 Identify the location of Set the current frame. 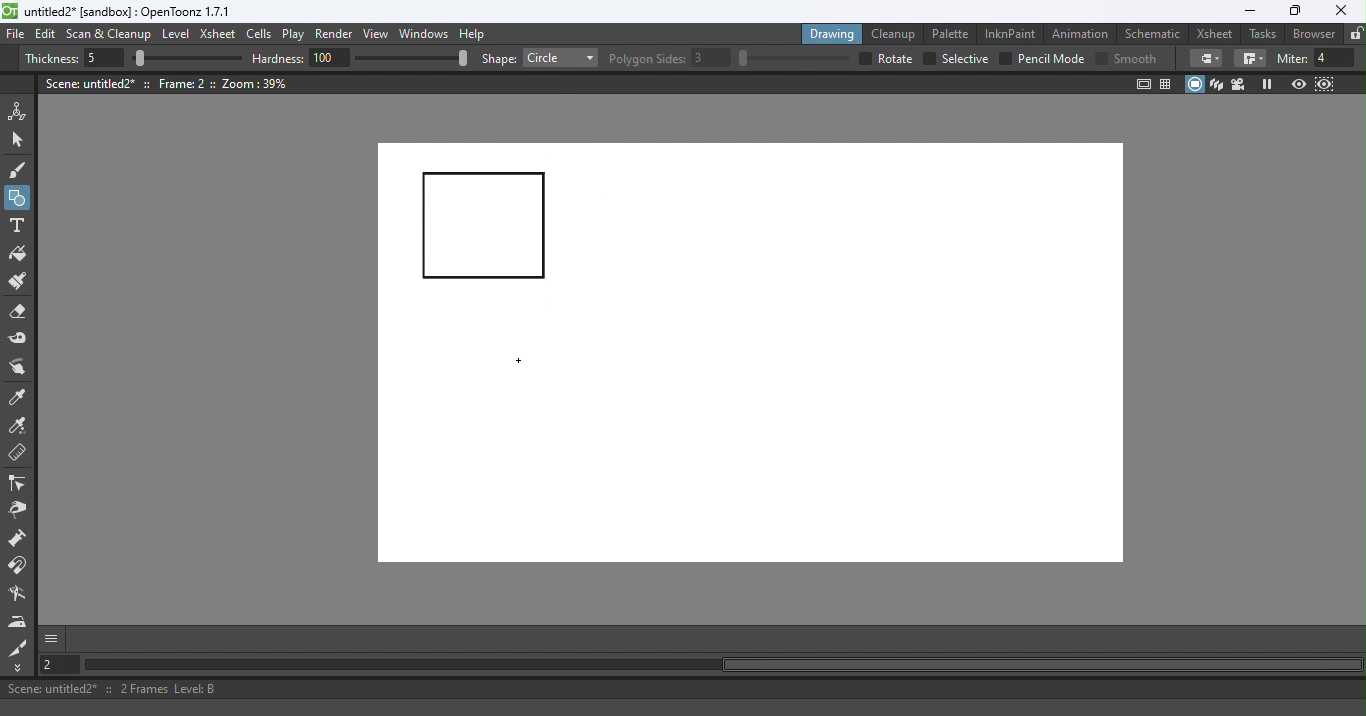
(57, 664).